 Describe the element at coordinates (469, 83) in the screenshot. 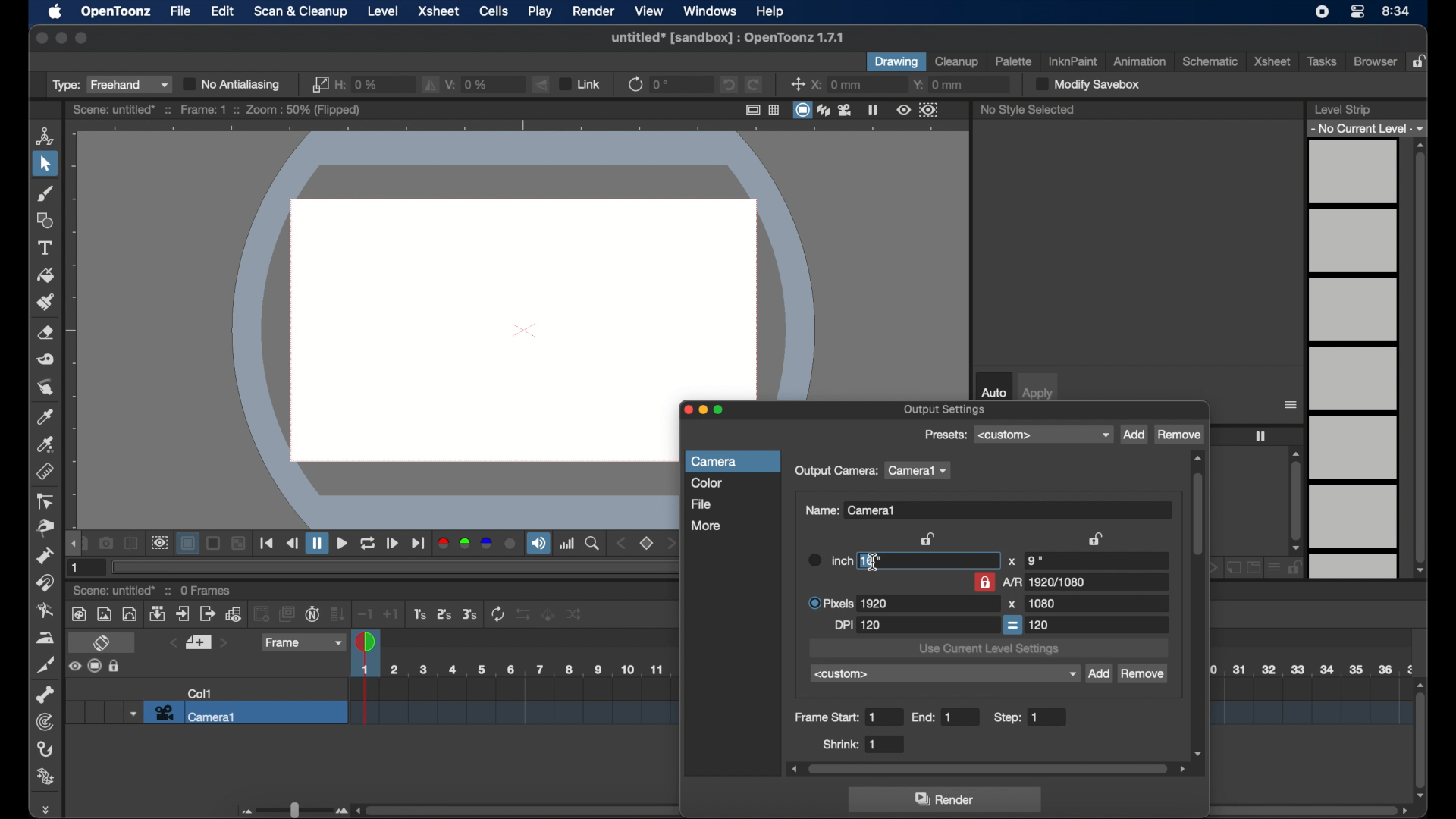

I see `v` at that location.